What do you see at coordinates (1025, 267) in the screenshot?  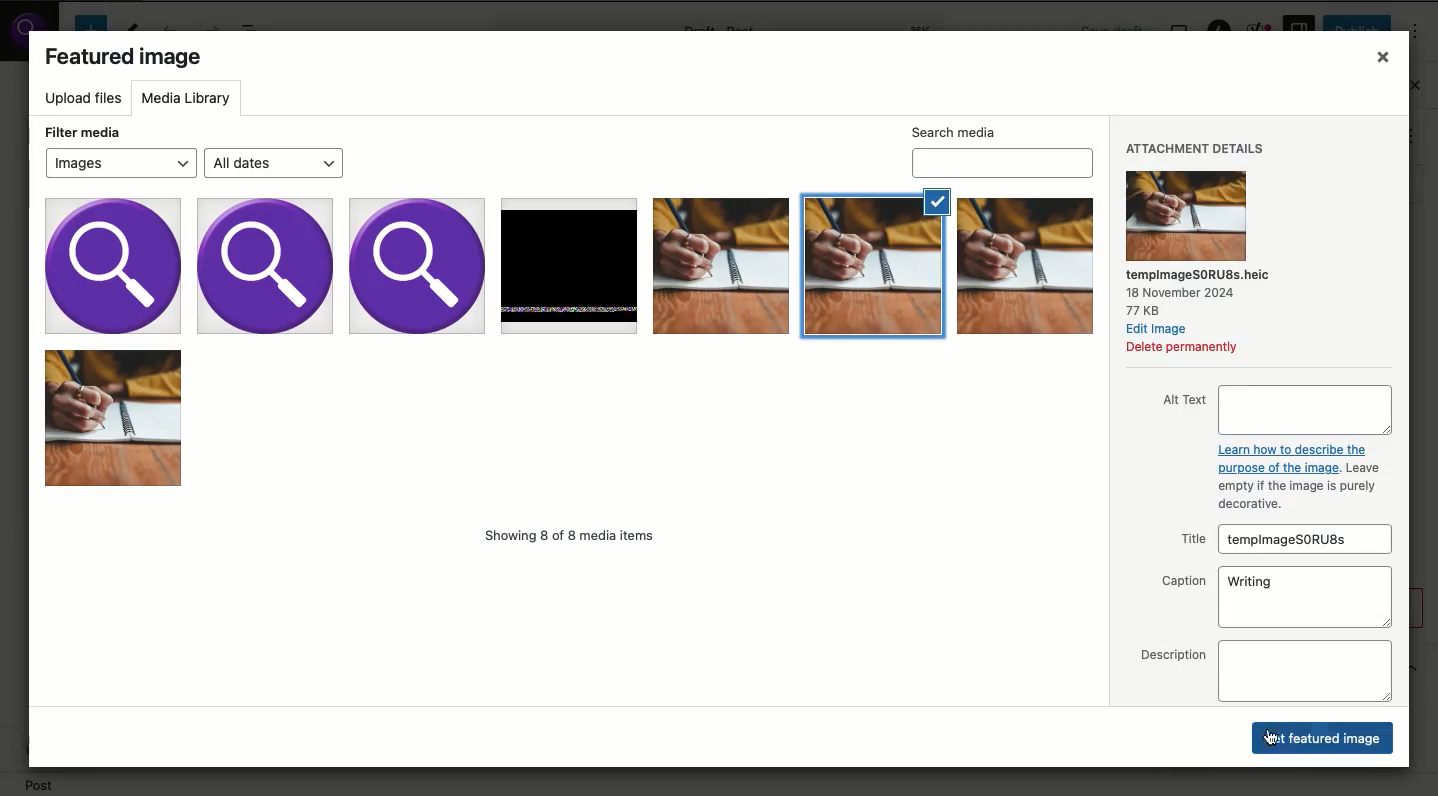 I see `Image` at bounding box center [1025, 267].